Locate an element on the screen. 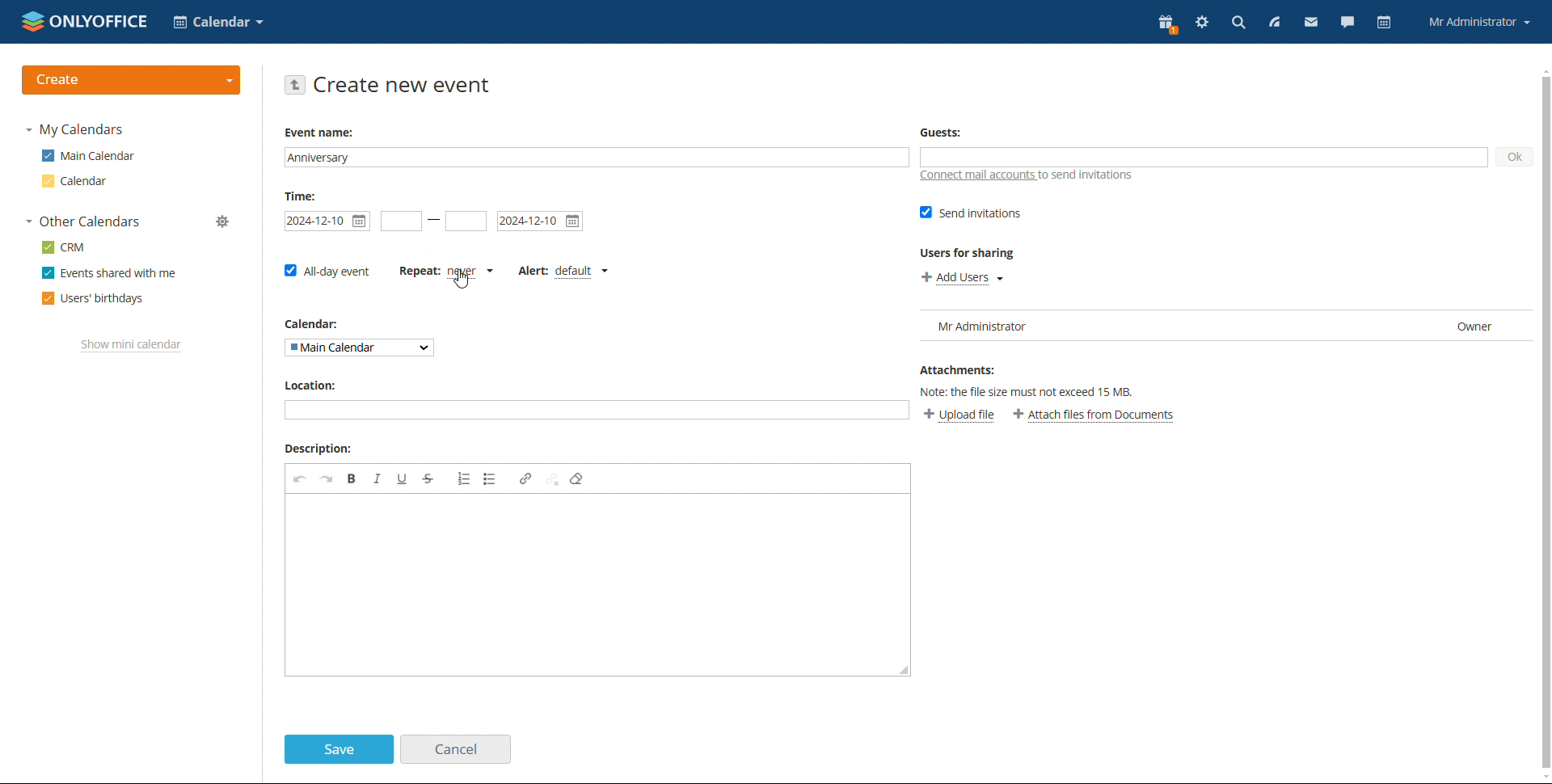 The image size is (1552, 784). Calendar: is located at coordinates (306, 322).